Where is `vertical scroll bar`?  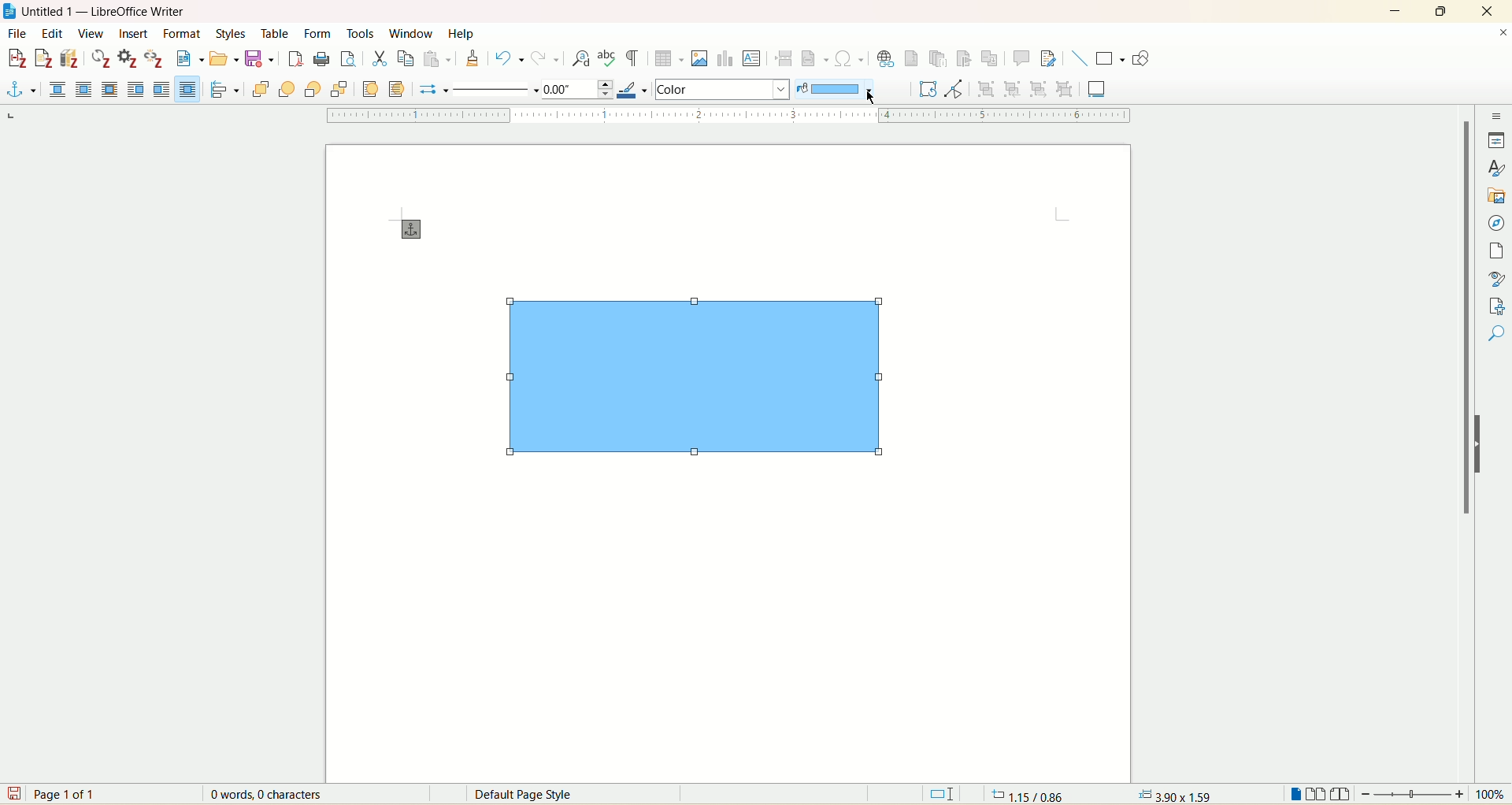 vertical scroll bar is located at coordinates (1466, 444).